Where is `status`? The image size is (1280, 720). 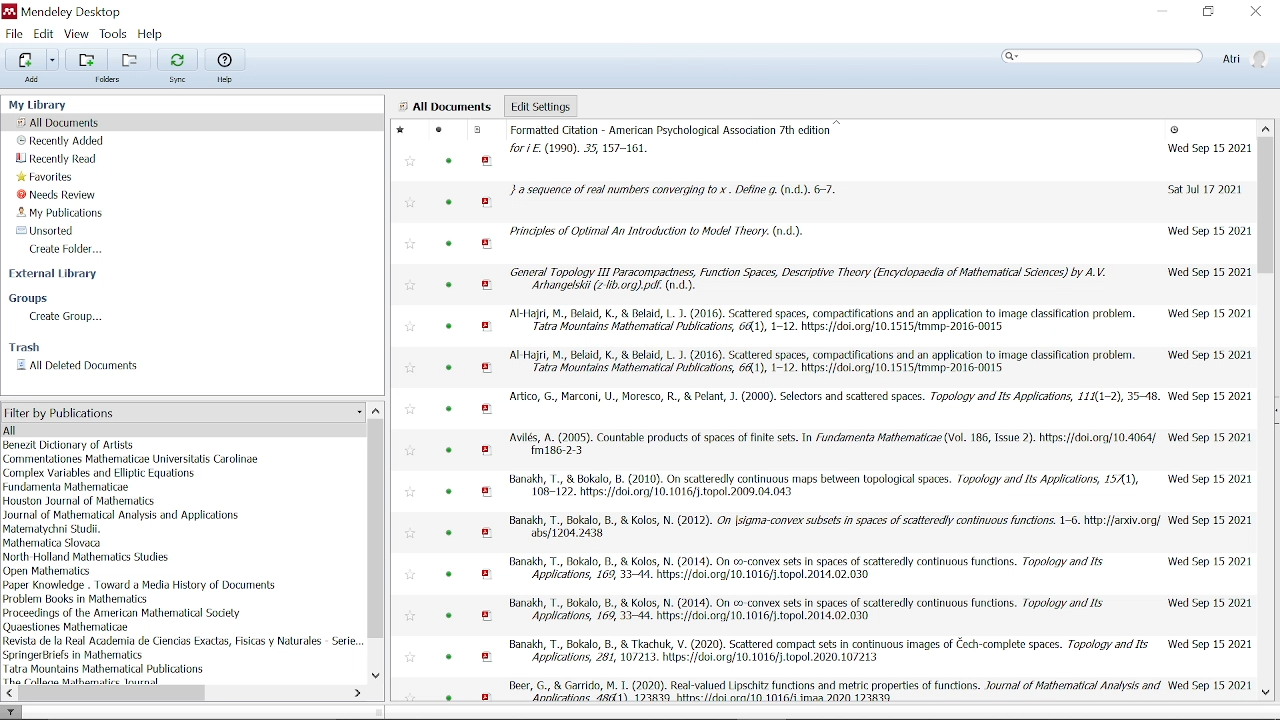
status is located at coordinates (452, 575).